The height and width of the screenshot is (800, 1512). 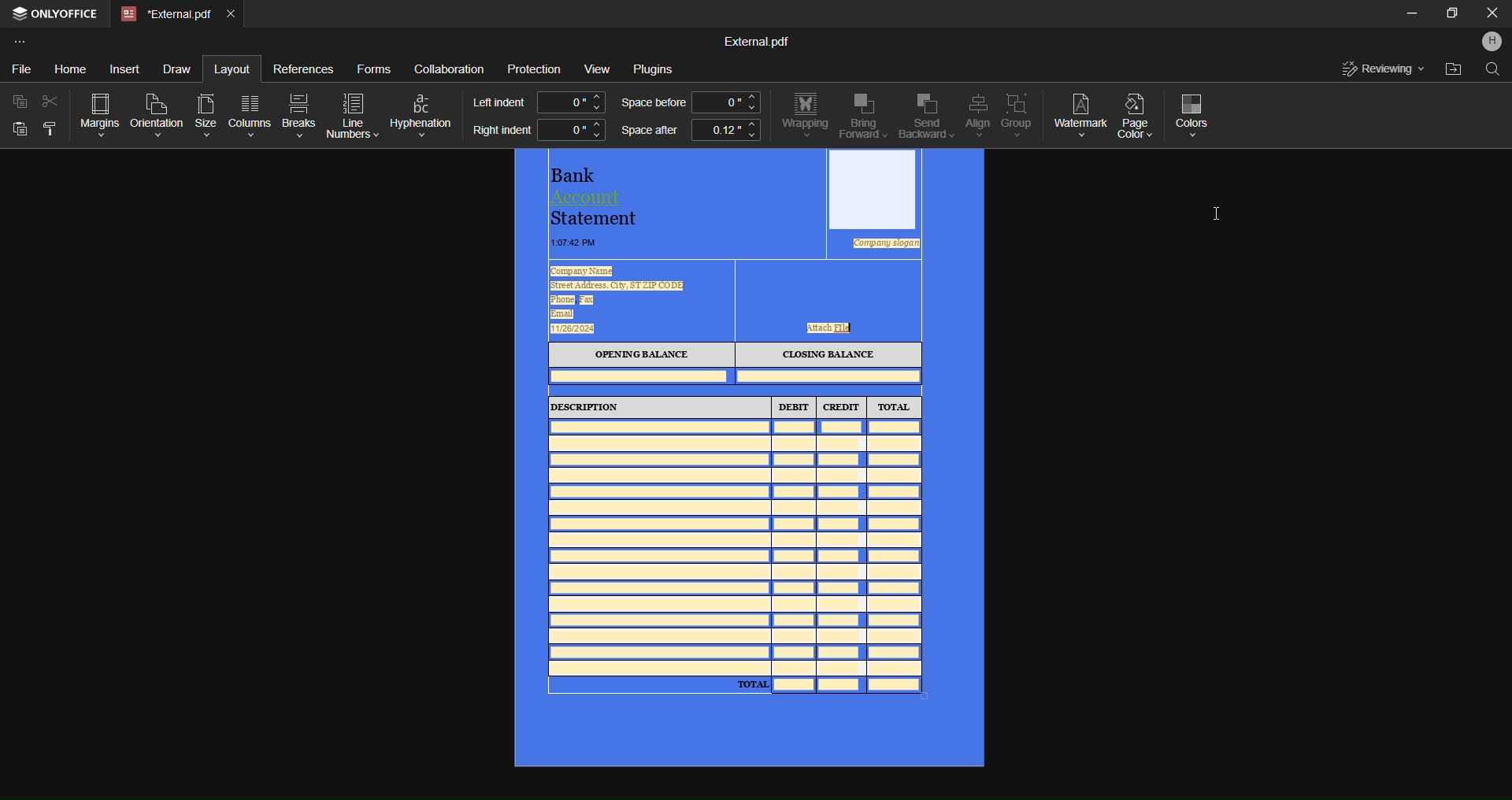 I want to click on Maximize, so click(x=1448, y=17).